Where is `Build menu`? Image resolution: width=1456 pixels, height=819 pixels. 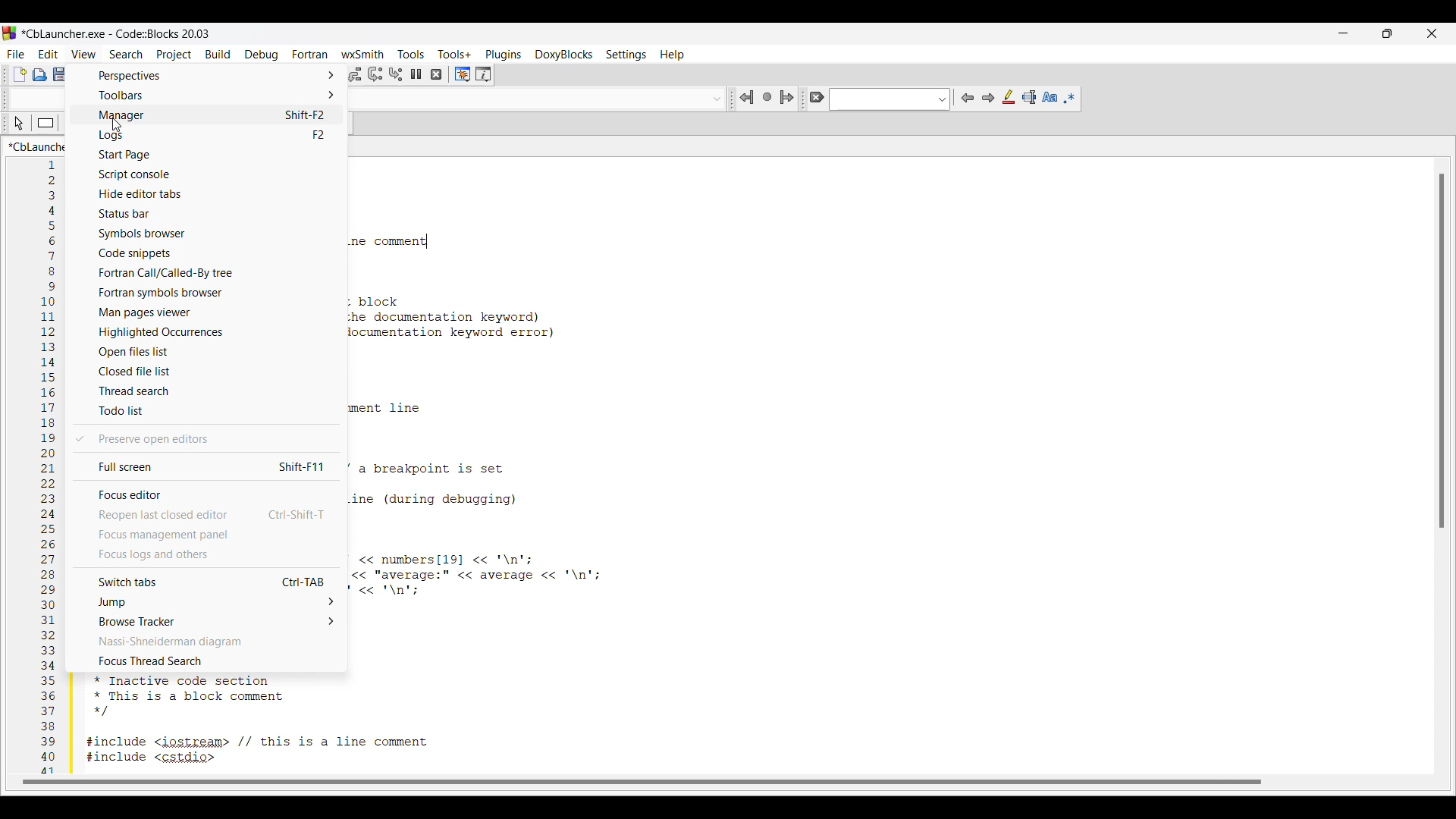
Build menu is located at coordinates (218, 54).